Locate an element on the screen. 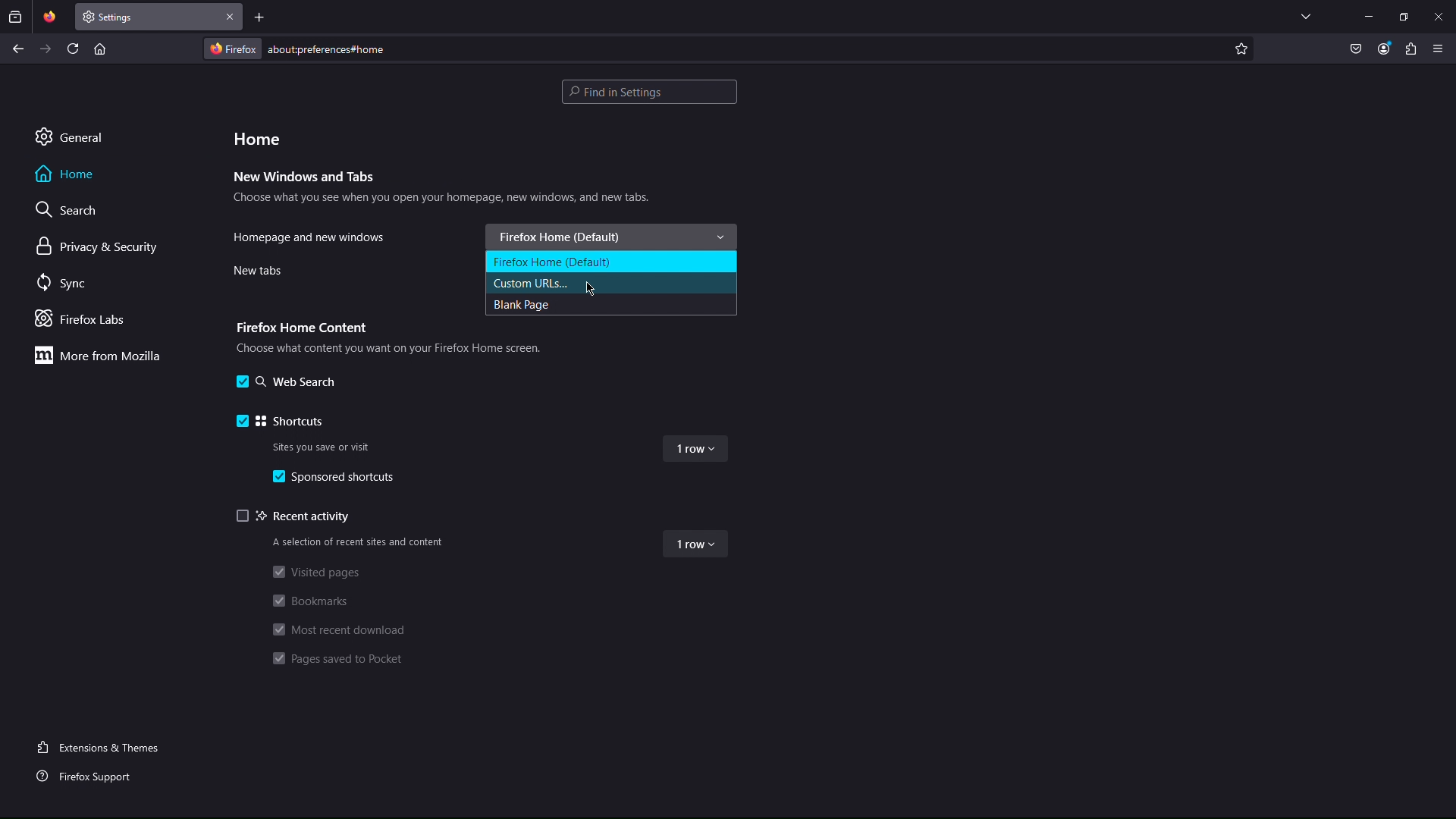 This screenshot has width=1456, height=819. Account is located at coordinates (1384, 50).